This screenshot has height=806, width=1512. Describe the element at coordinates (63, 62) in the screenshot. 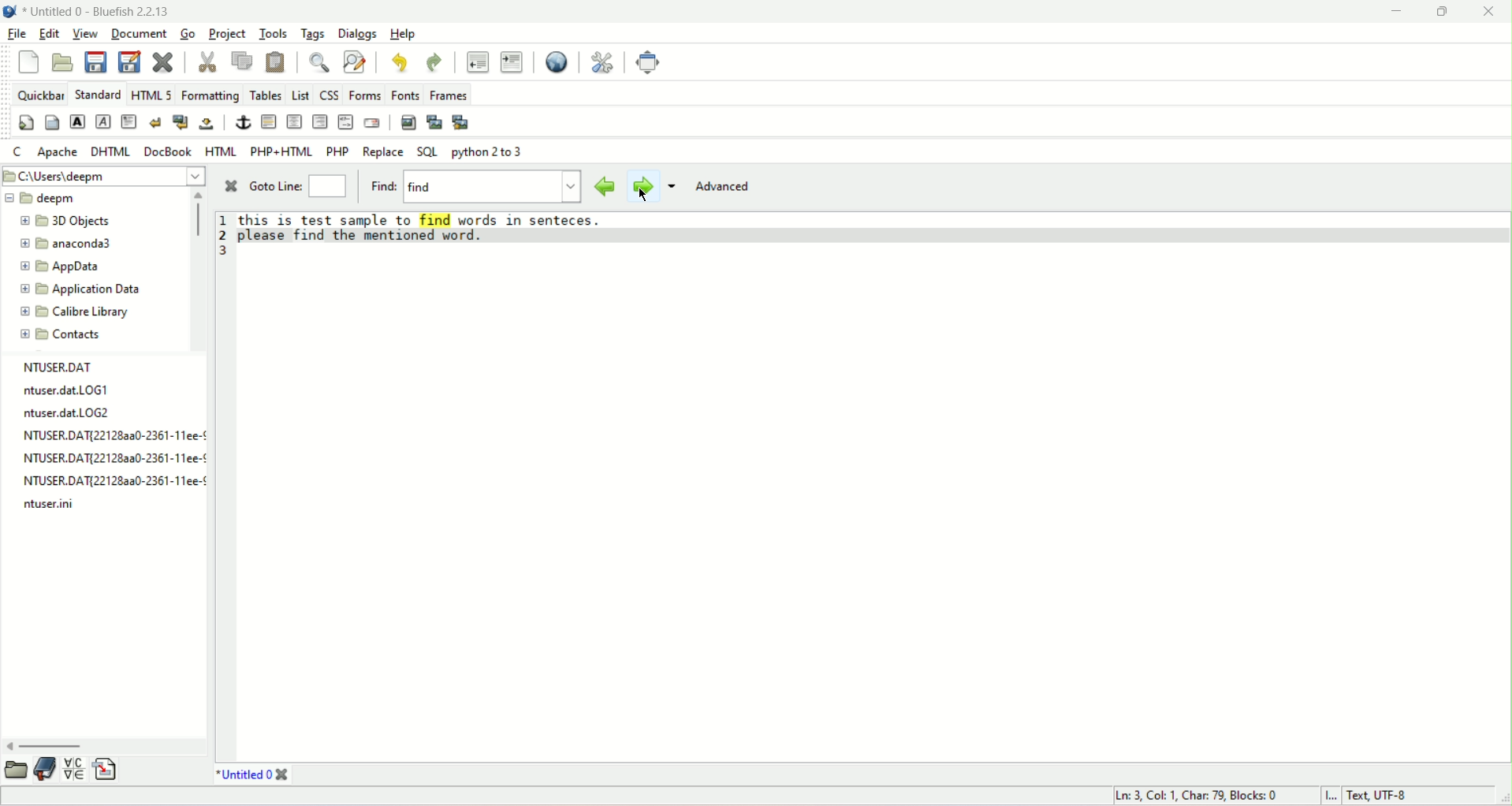

I see `open` at that location.